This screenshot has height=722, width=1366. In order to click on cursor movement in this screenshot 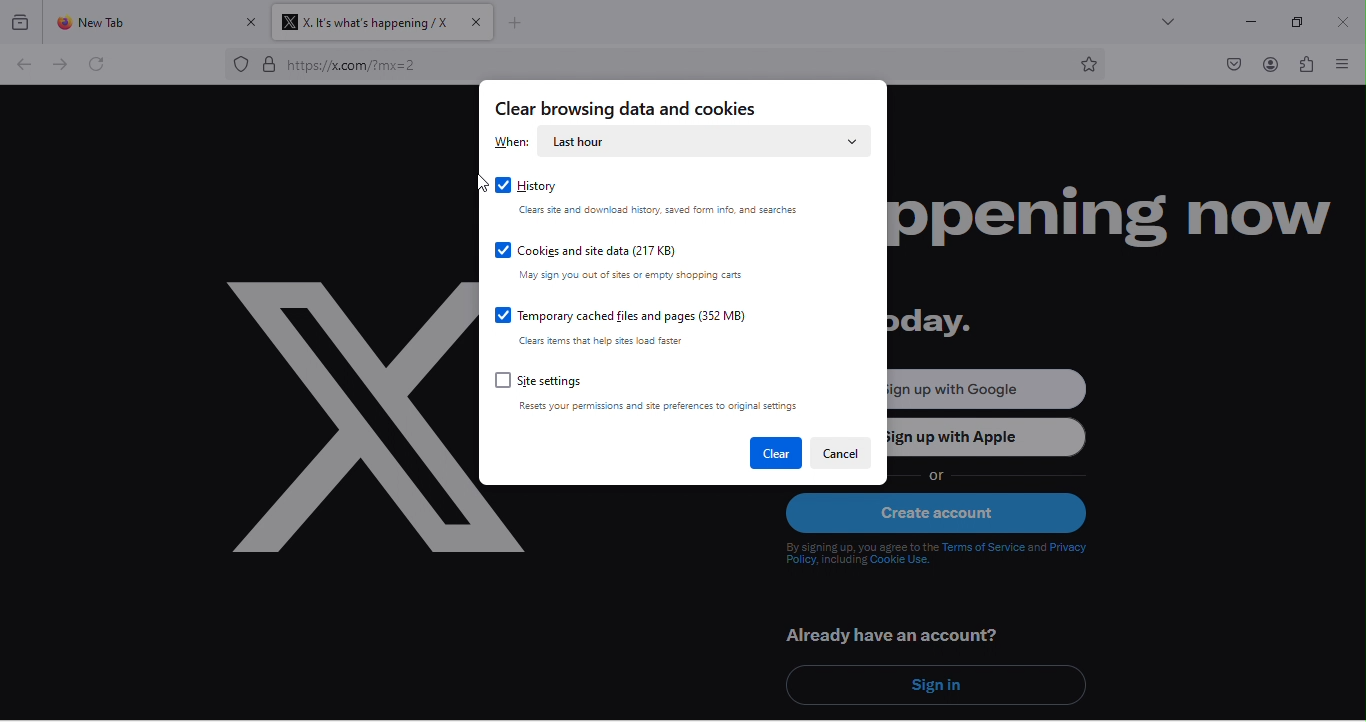, I will do `click(477, 185)`.